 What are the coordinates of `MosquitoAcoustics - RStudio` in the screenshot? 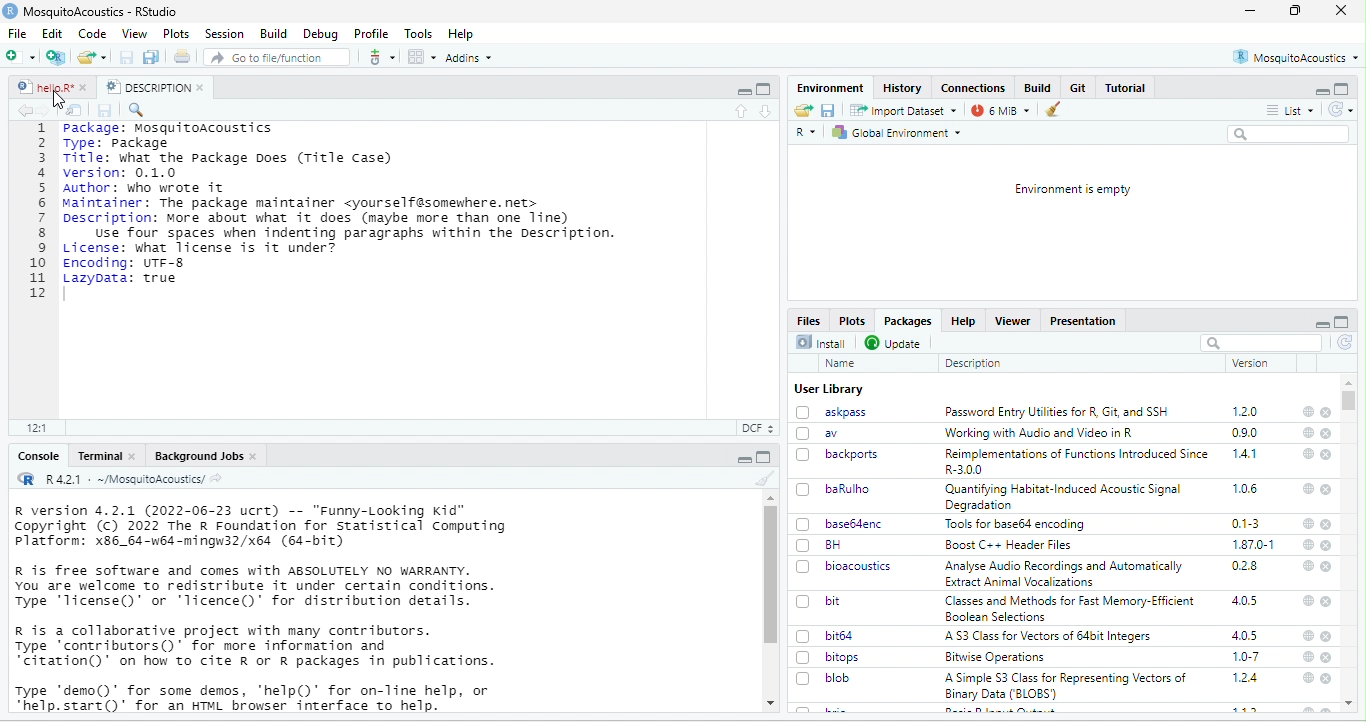 It's located at (101, 12).